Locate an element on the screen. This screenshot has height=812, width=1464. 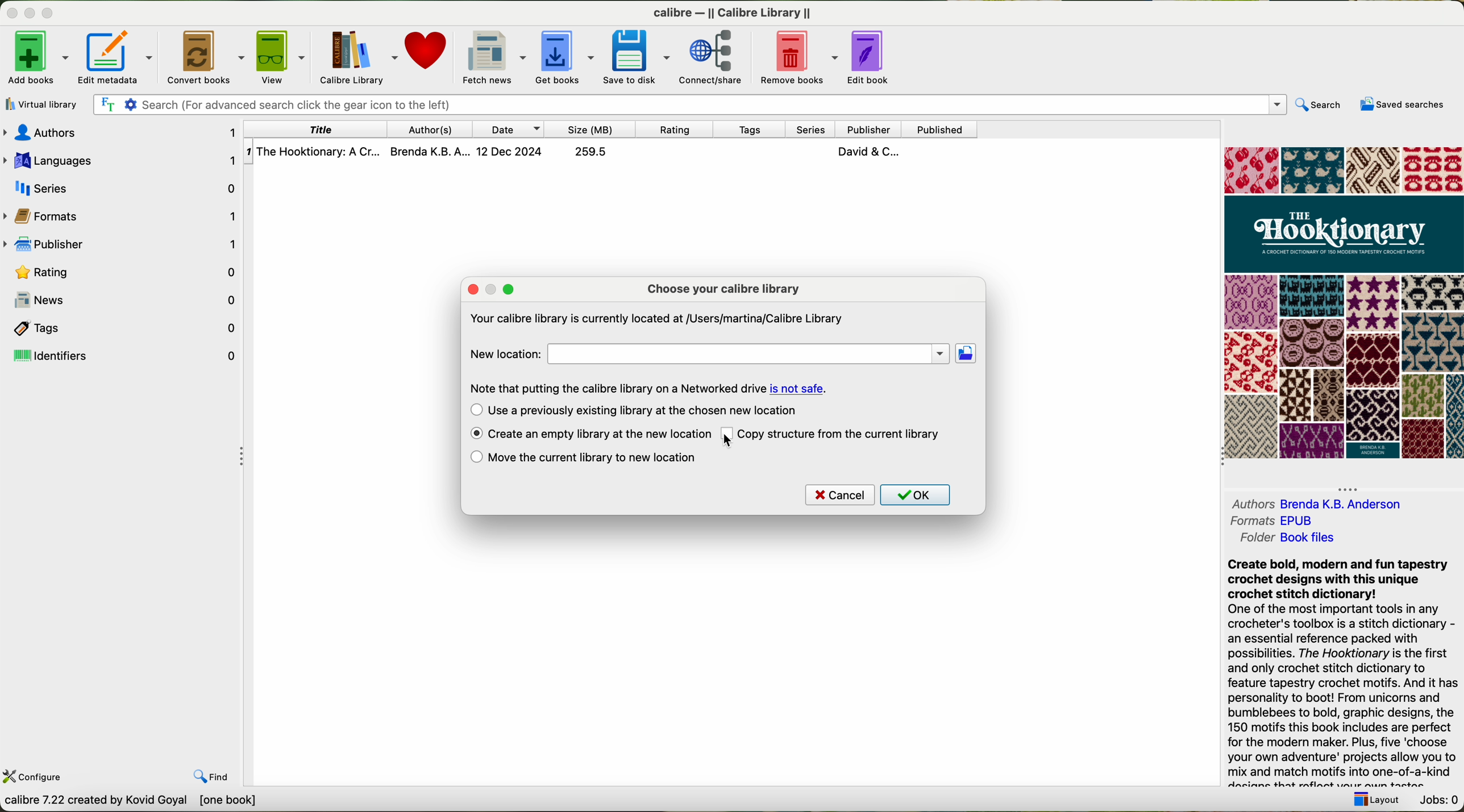
checkbox is located at coordinates (476, 434).